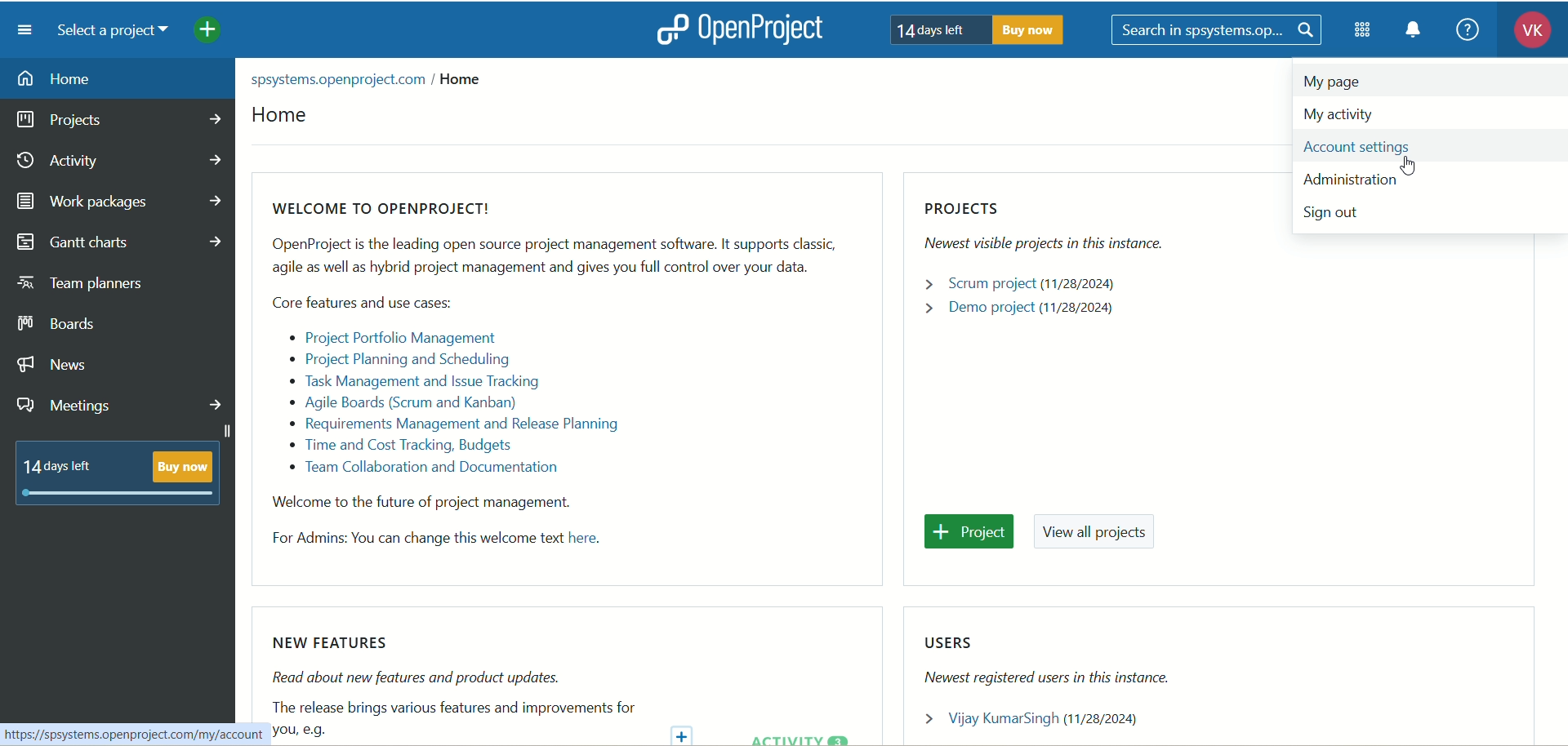 The width and height of the screenshot is (1568, 746). I want to click on user , so click(1039, 717).